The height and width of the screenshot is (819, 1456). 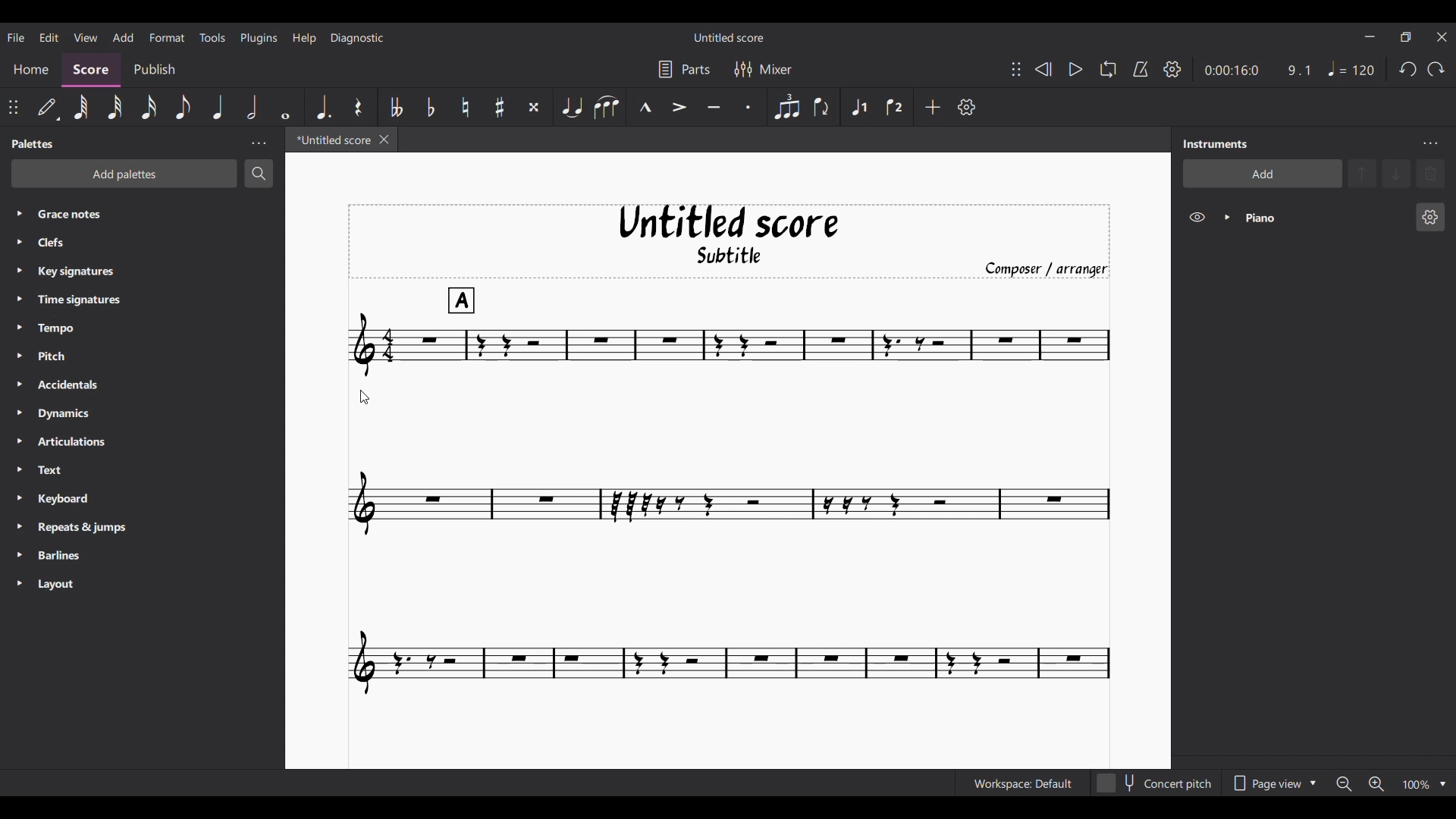 What do you see at coordinates (94, 68) in the screenshot?
I see `Score section, current selection highlighted` at bounding box center [94, 68].